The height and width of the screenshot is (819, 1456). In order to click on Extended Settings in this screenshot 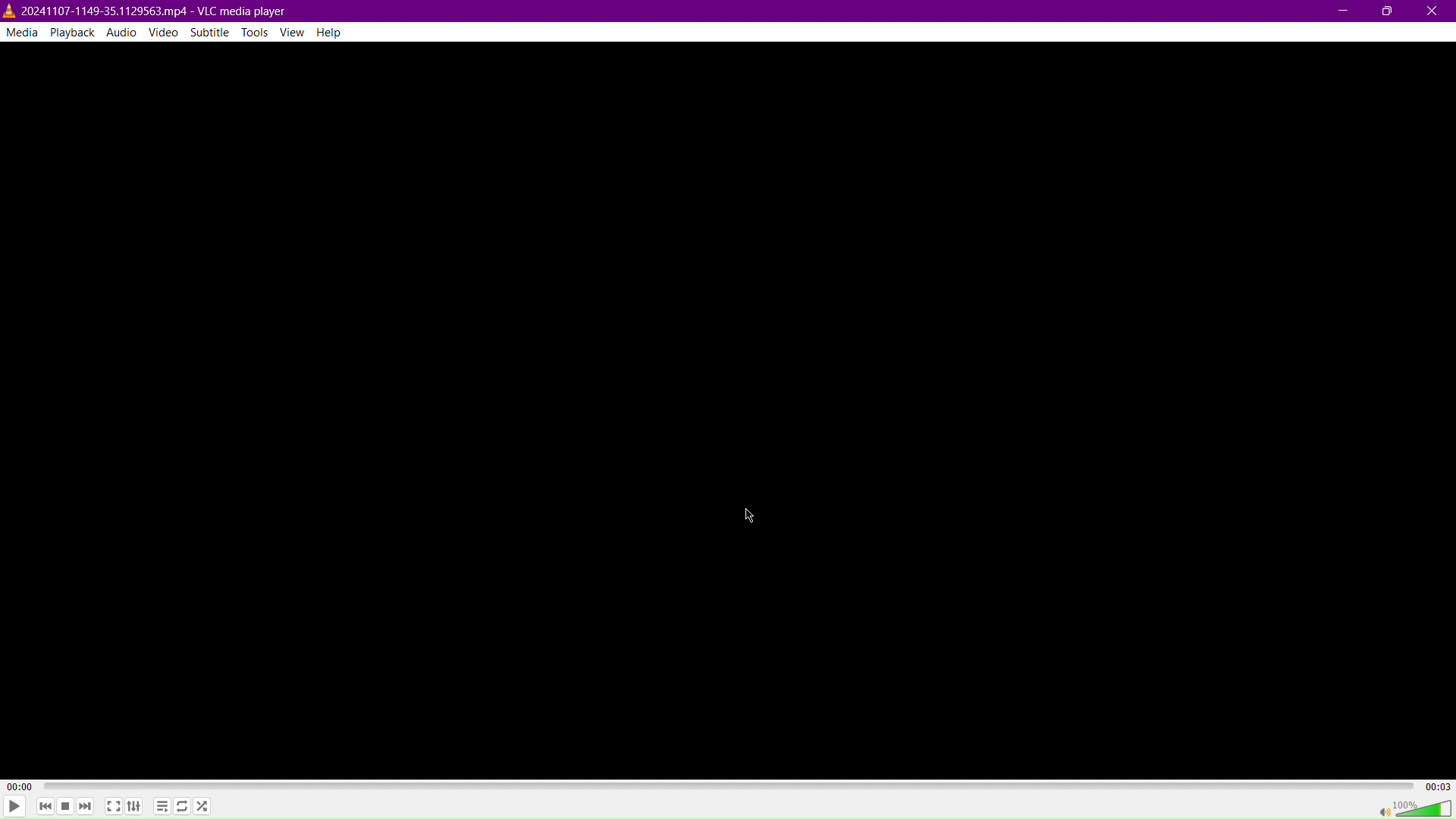, I will do `click(135, 807)`.